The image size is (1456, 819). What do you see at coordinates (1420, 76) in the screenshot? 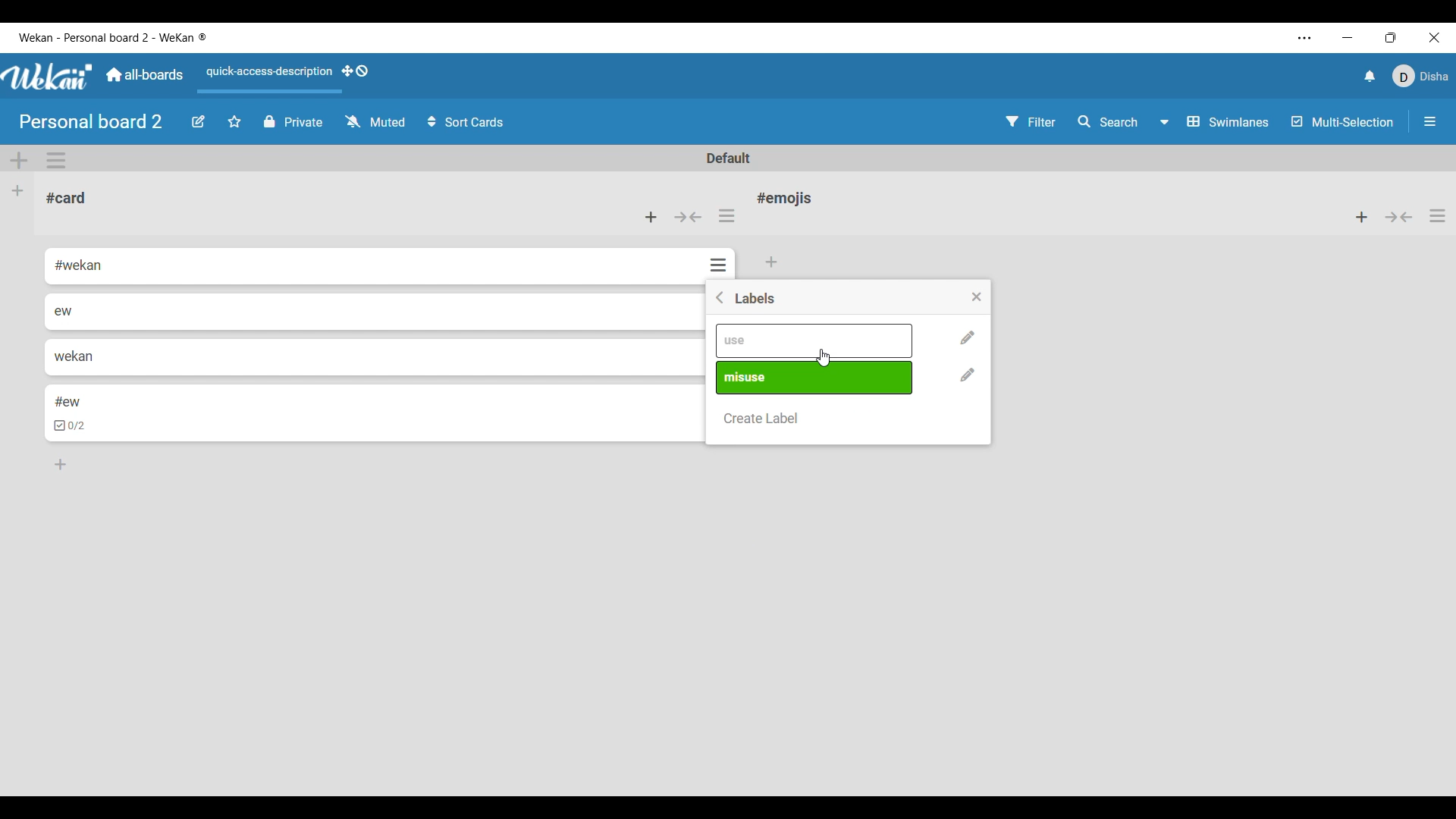
I see `Current account` at bounding box center [1420, 76].